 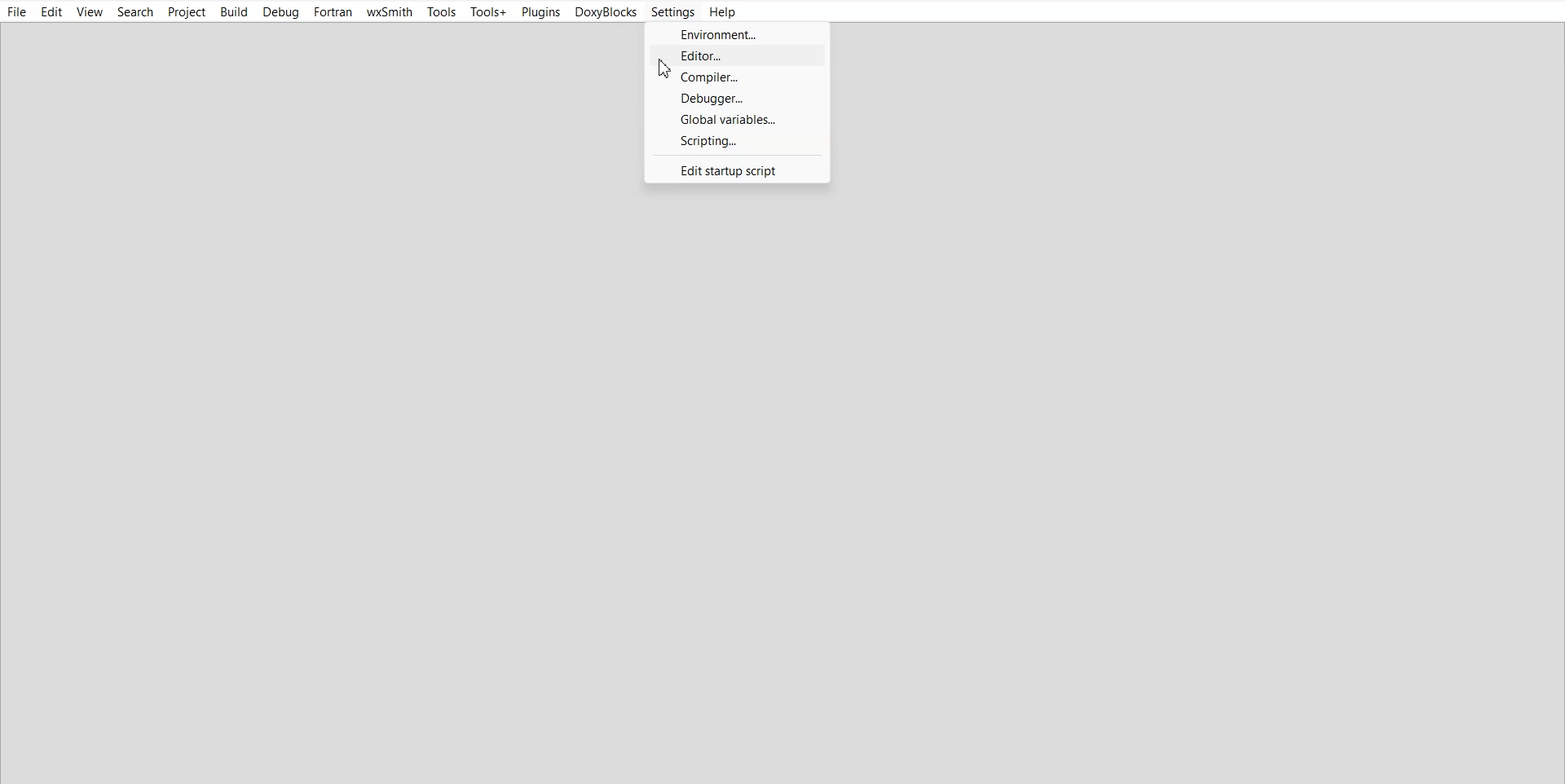 I want to click on Fortran, so click(x=332, y=11).